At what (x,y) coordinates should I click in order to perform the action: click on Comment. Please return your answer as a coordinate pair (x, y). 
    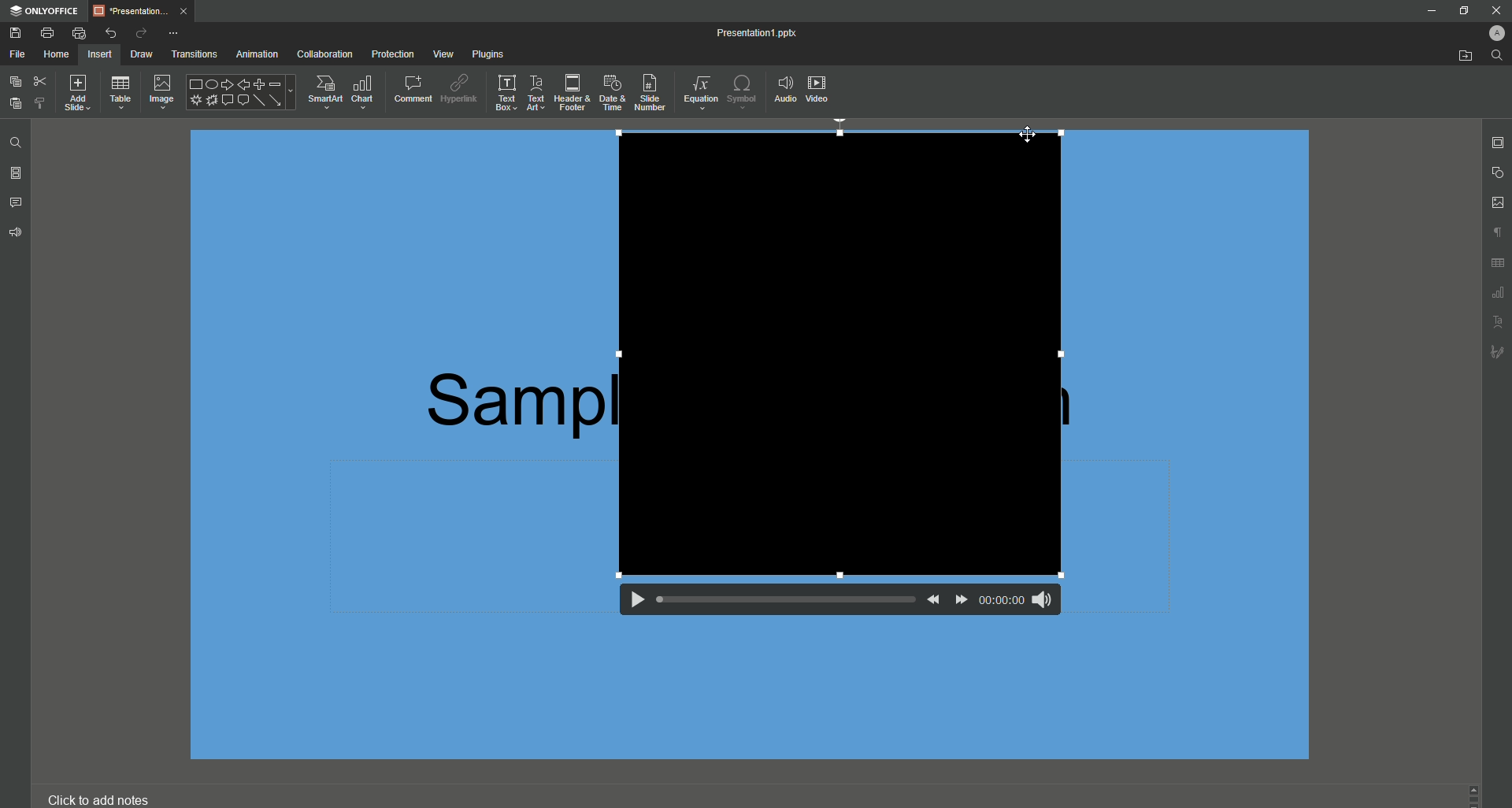
    Looking at the image, I should click on (413, 90).